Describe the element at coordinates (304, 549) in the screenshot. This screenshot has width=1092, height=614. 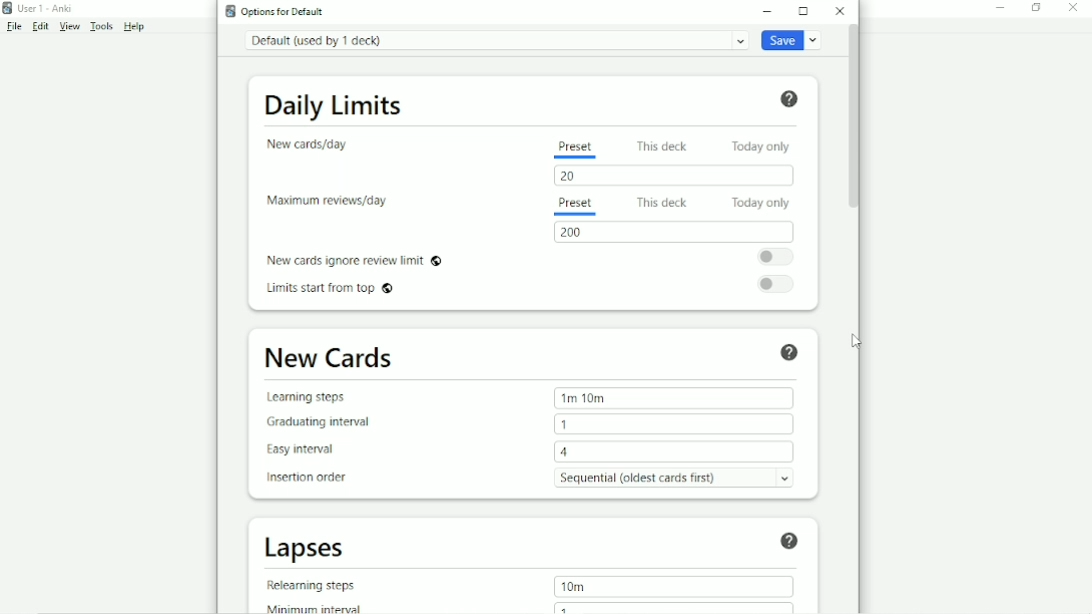
I see `Lapses` at that location.